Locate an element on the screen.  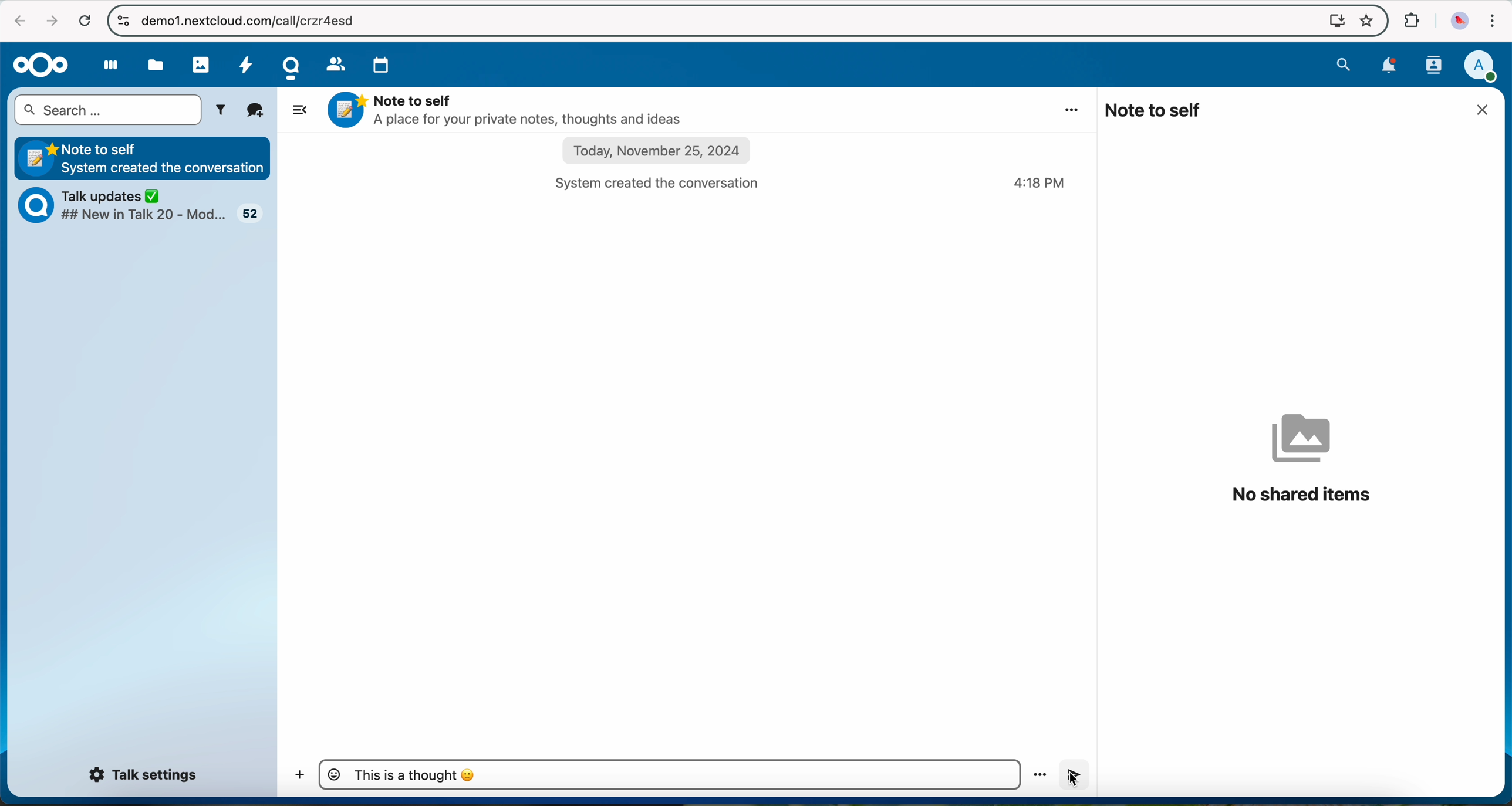
date is located at coordinates (659, 152).